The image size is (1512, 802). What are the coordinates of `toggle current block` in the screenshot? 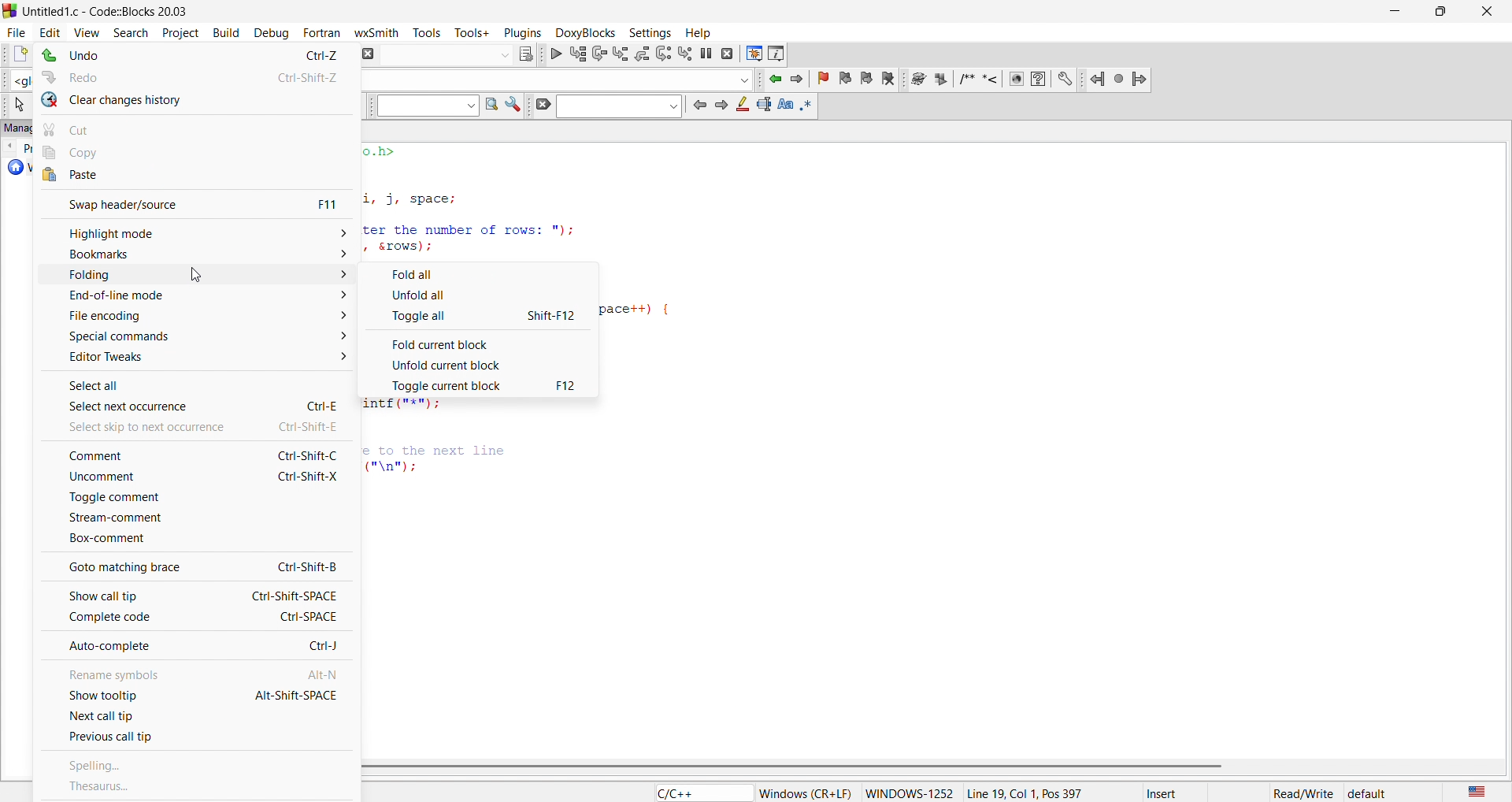 It's located at (484, 386).